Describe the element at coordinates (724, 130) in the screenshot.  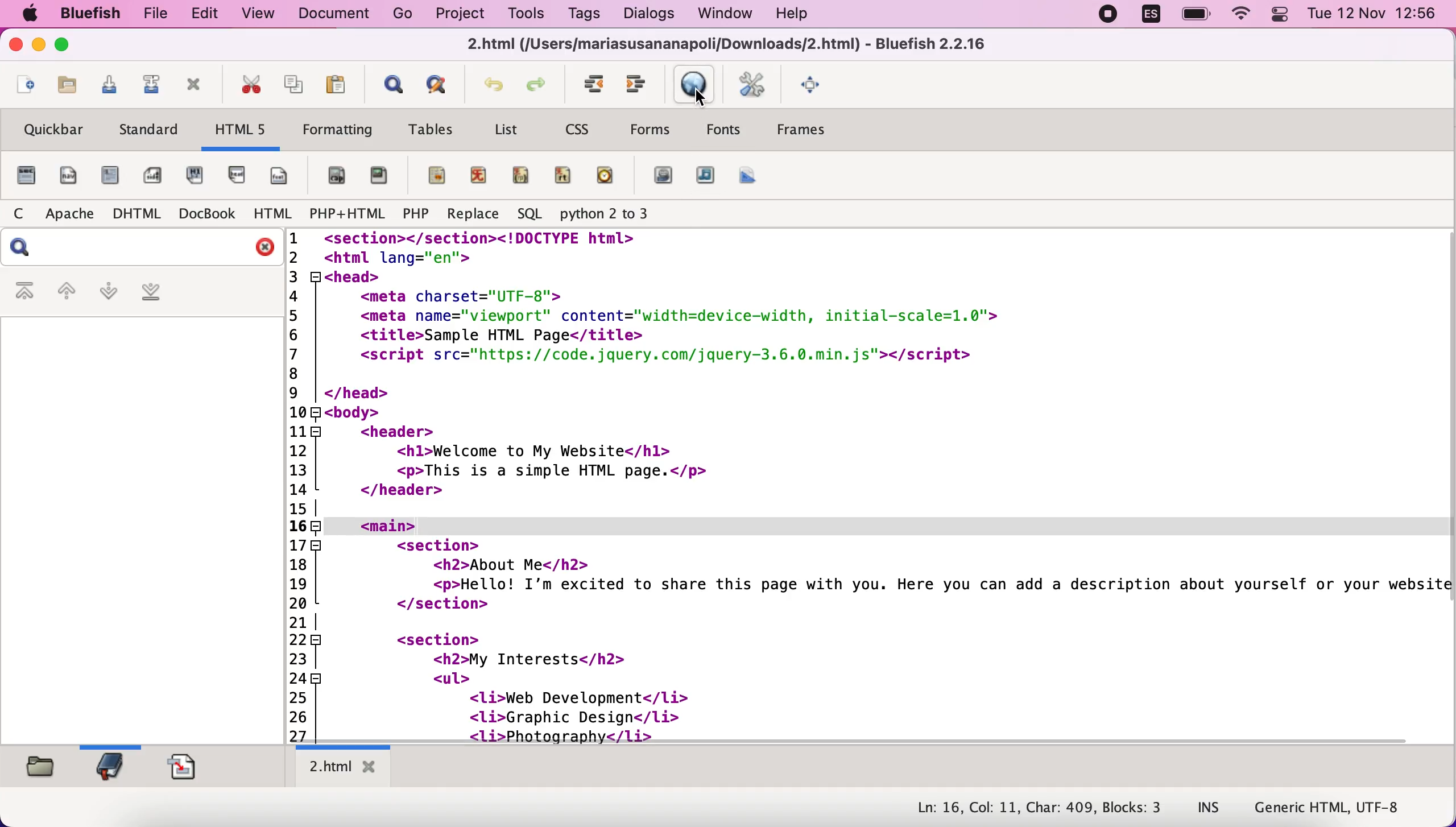
I see `fonts` at that location.